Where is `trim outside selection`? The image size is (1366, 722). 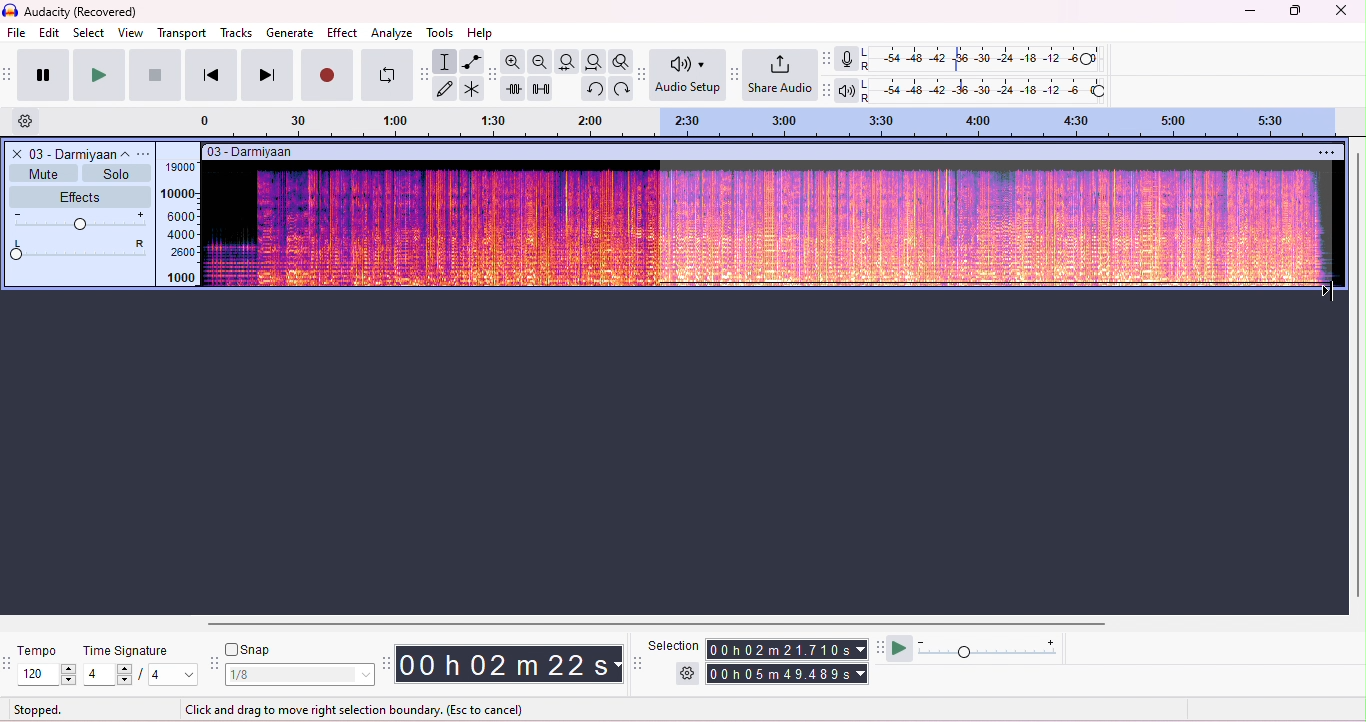
trim outside selection is located at coordinates (514, 89).